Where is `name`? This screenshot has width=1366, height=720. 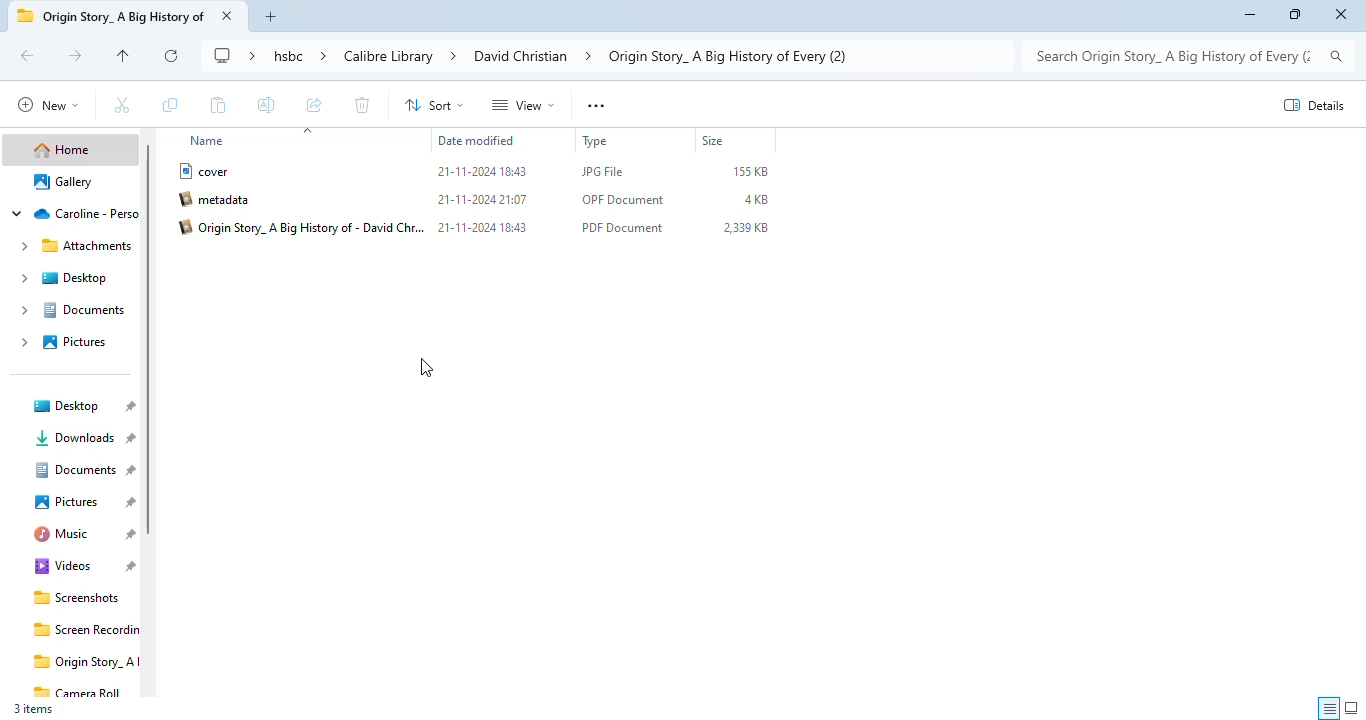
name is located at coordinates (207, 139).